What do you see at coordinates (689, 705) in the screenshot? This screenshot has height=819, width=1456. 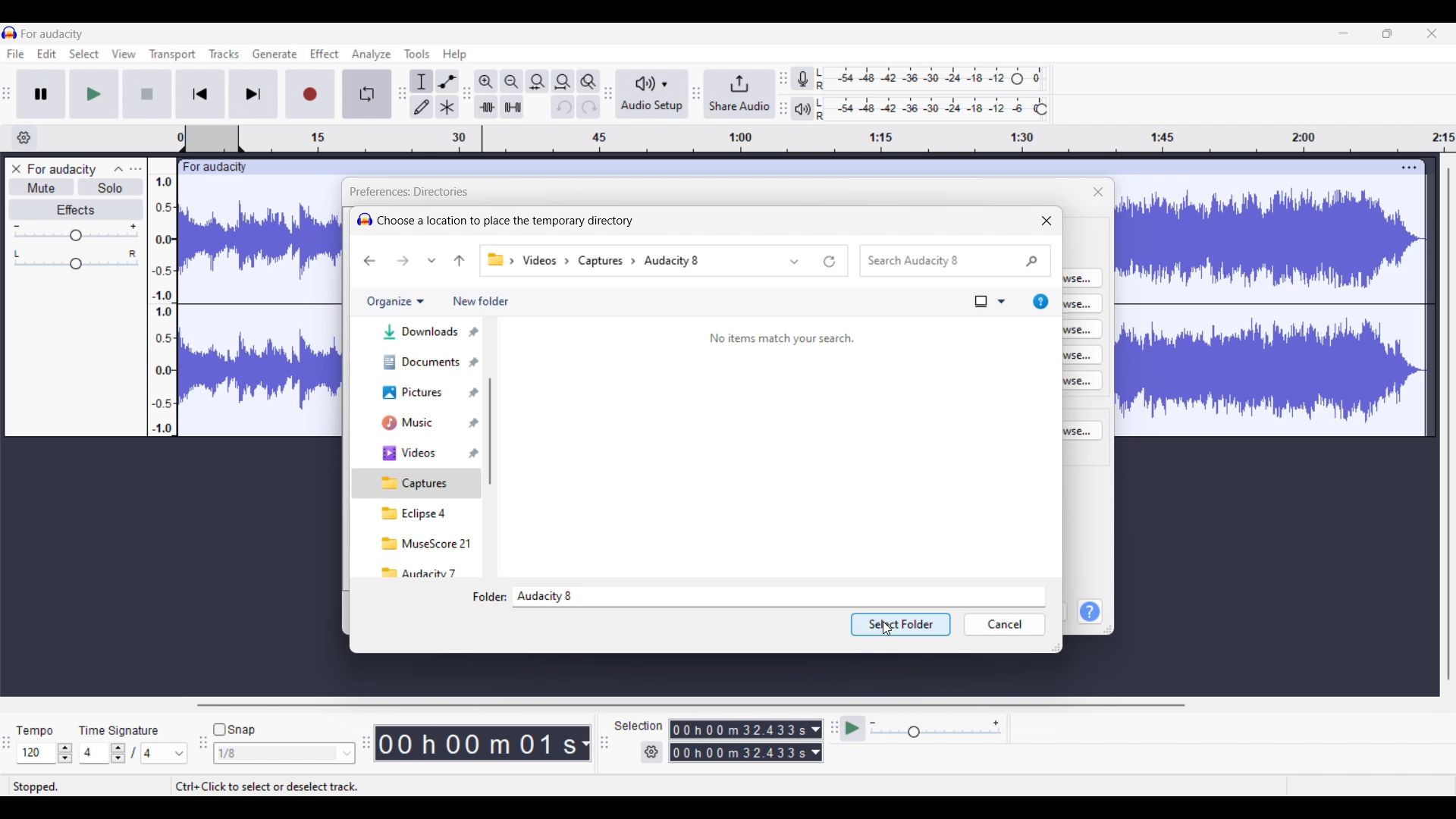 I see `Horizontal scroll bar` at bounding box center [689, 705].